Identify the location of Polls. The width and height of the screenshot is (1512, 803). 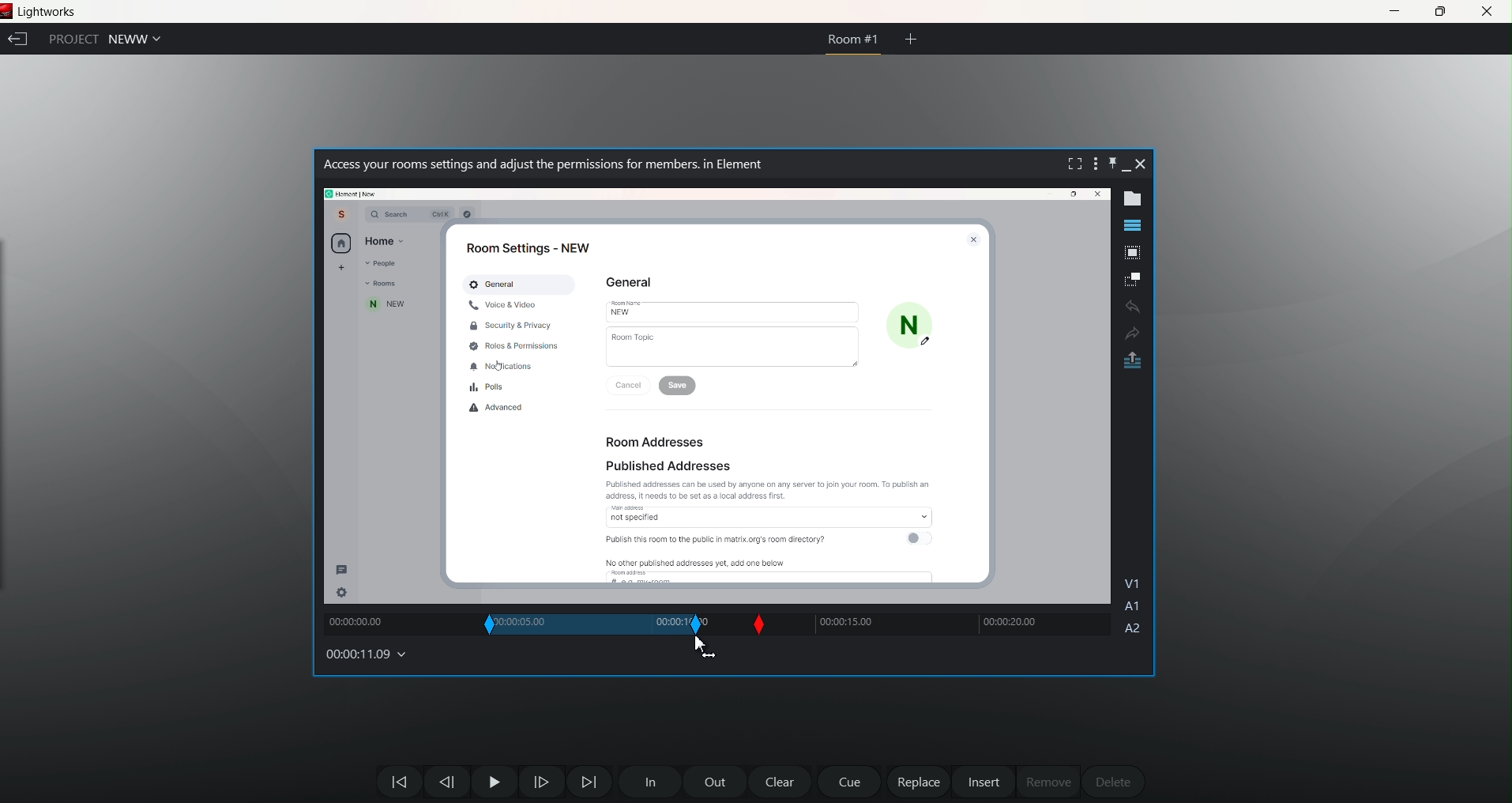
(488, 386).